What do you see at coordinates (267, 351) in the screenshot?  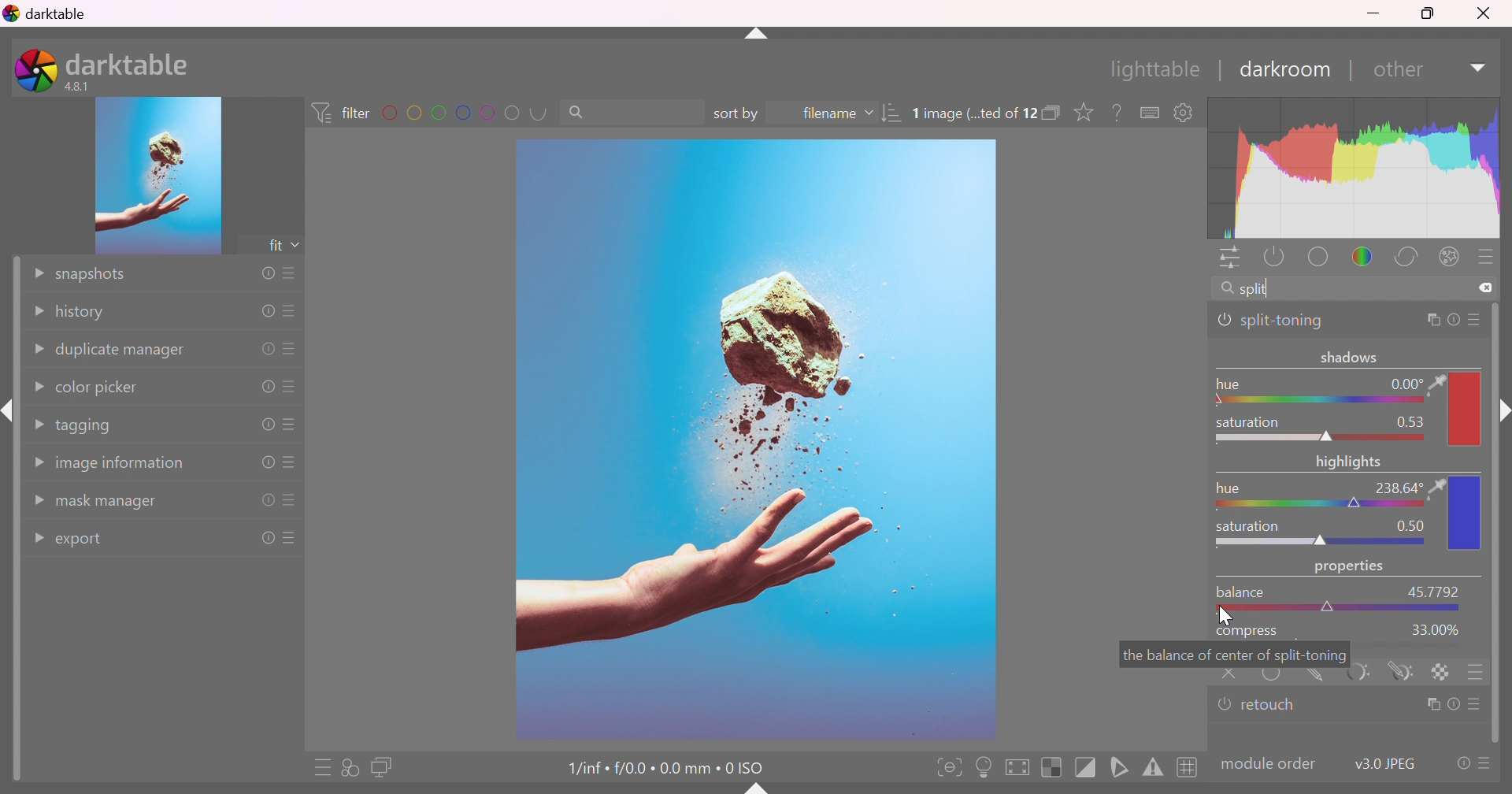 I see `reset` at bounding box center [267, 351].